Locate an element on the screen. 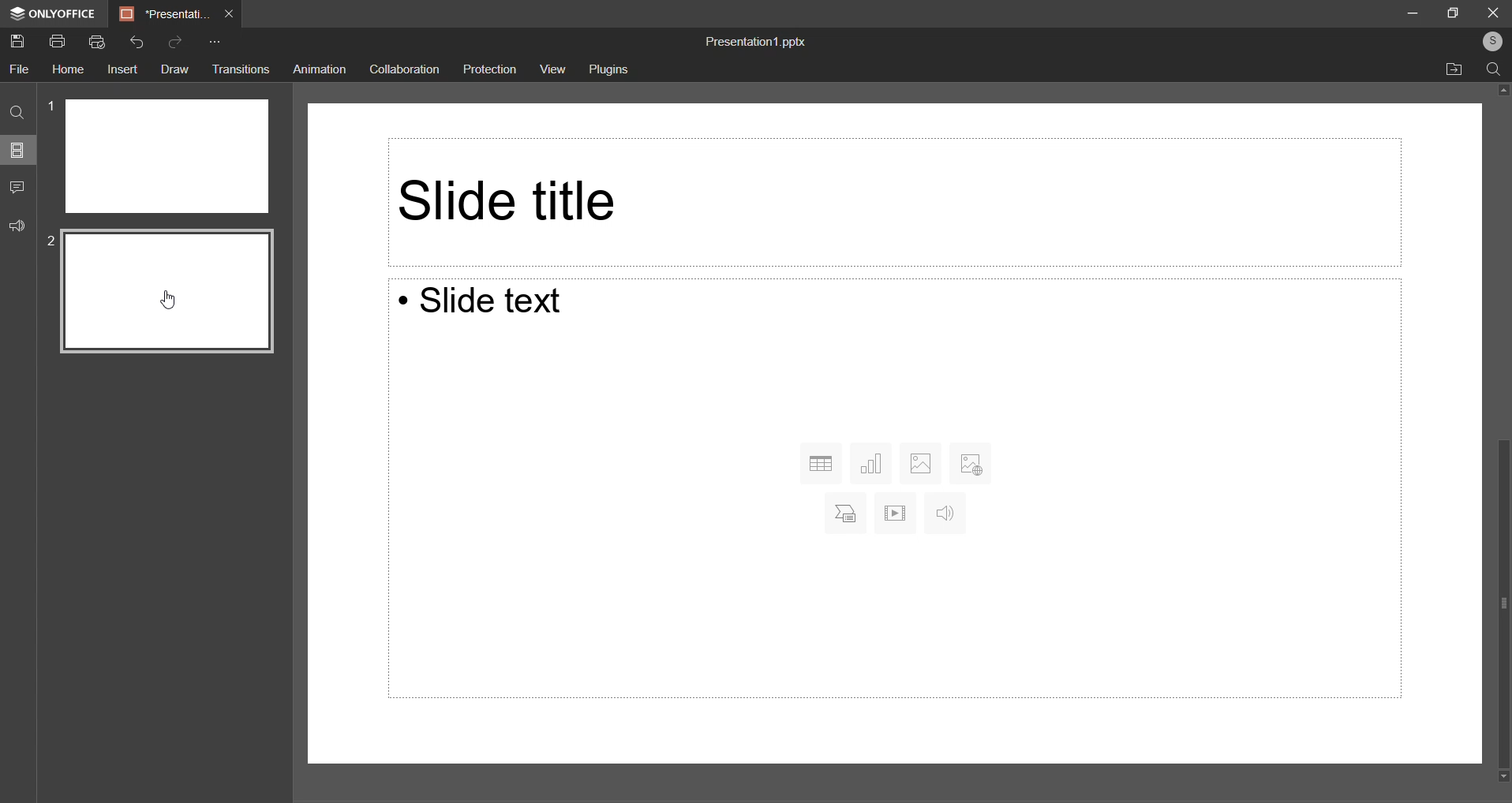 The height and width of the screenshot is (803, 1512). Close is located at coordinates (1494, 11).